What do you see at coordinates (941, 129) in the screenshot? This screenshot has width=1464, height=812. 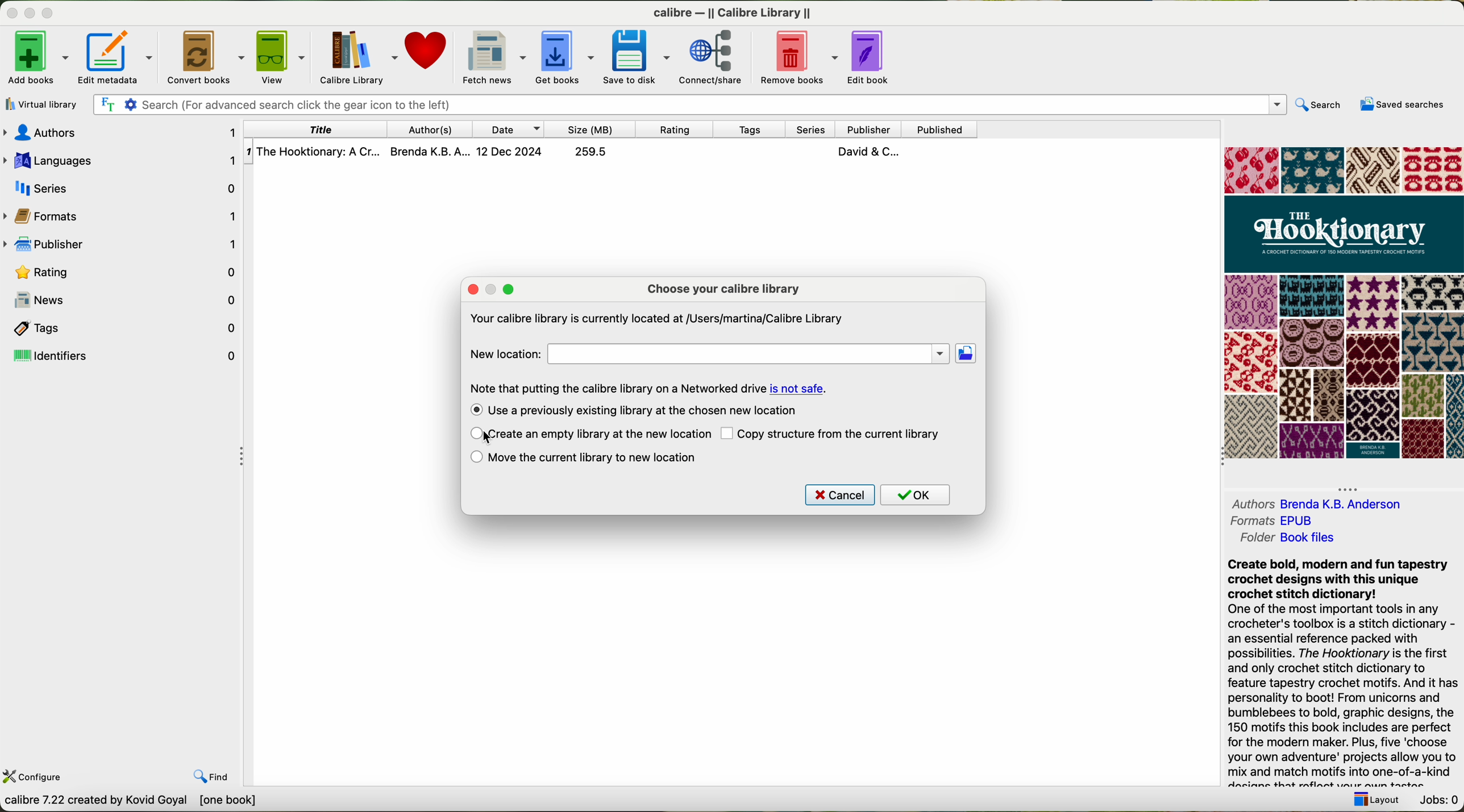 I see `published` at bounding box center [941, 129].